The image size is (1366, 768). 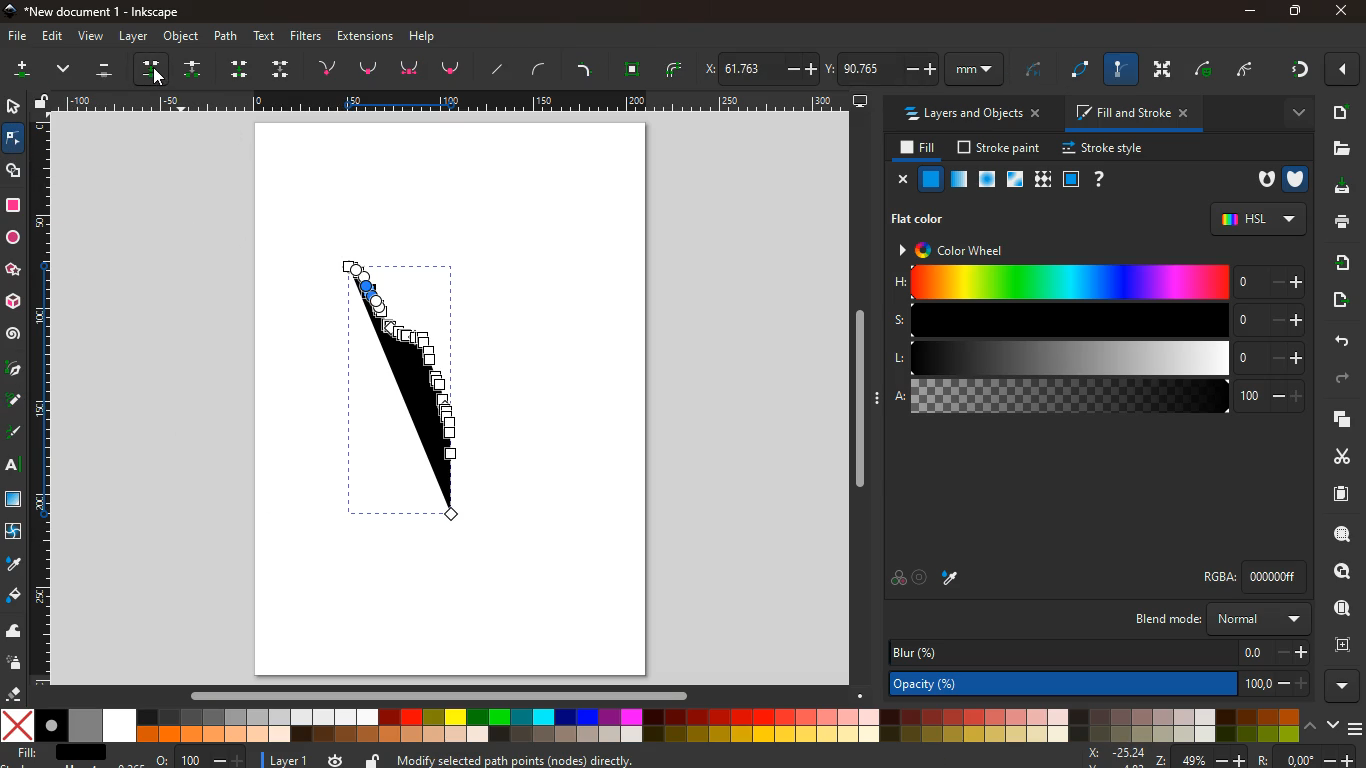 I want to click on frame, so click(x=1340, y=643).